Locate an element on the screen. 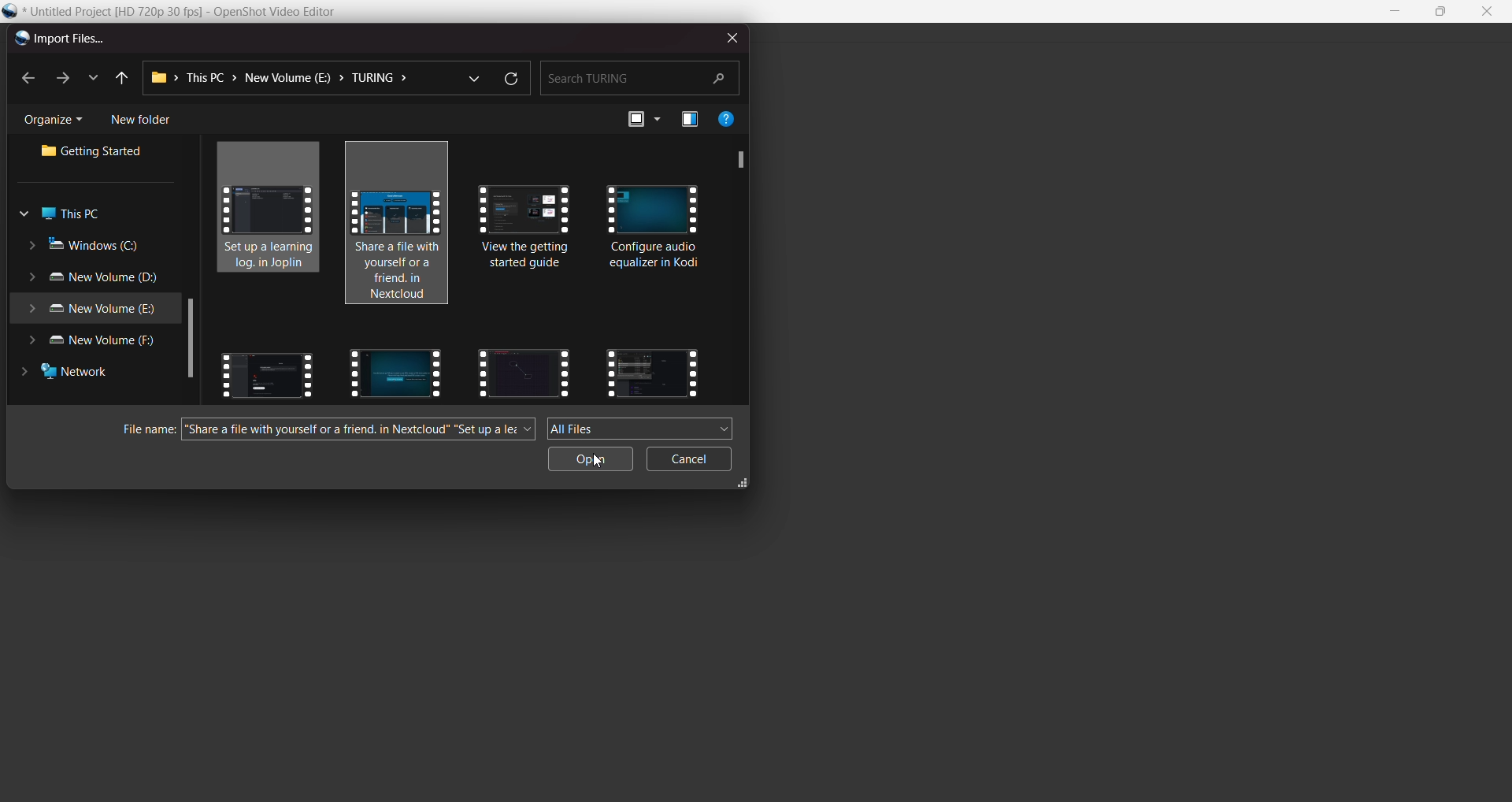 The height and width of the screenshot is (802, 1512). this pc is located at coordinates (65, 214).